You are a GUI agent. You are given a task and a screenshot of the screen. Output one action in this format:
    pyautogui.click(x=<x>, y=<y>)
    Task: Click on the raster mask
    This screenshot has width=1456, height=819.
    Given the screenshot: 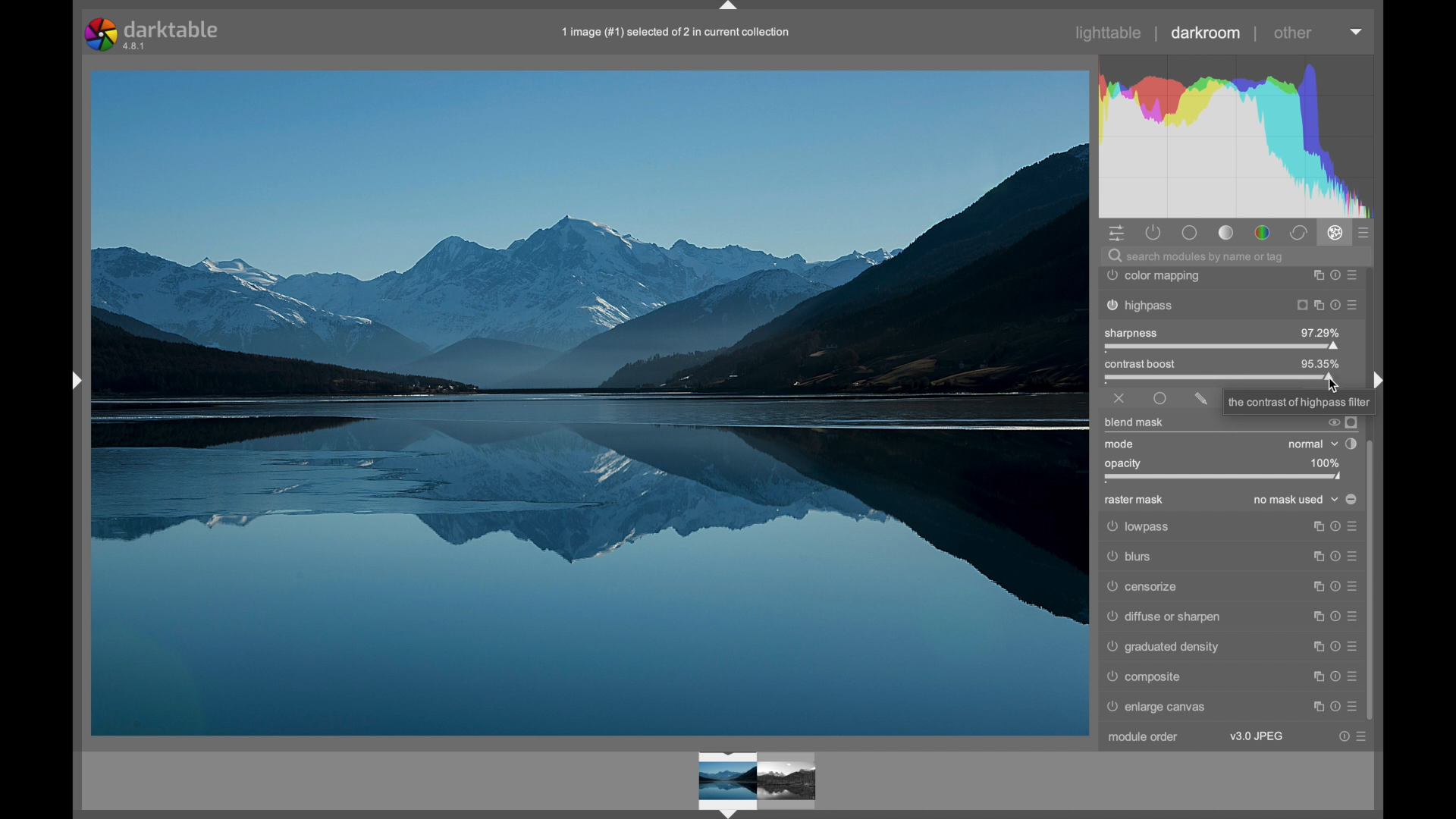 What is the action you would take?
    pyautogui.click(x=1134, y=500)
    